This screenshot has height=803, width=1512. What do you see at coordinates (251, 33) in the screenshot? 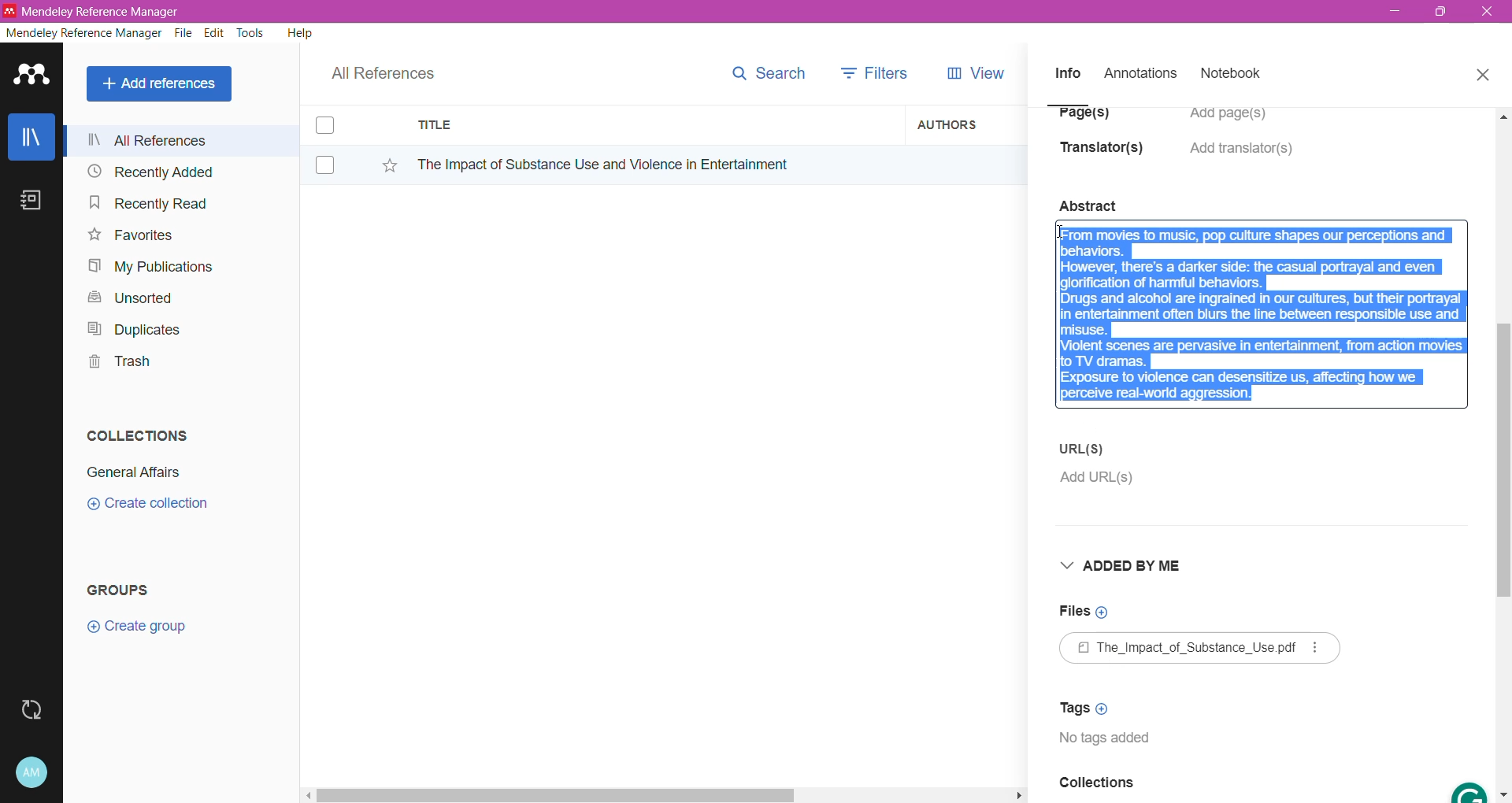
I see `Tools` at bounding box center [251, 33].